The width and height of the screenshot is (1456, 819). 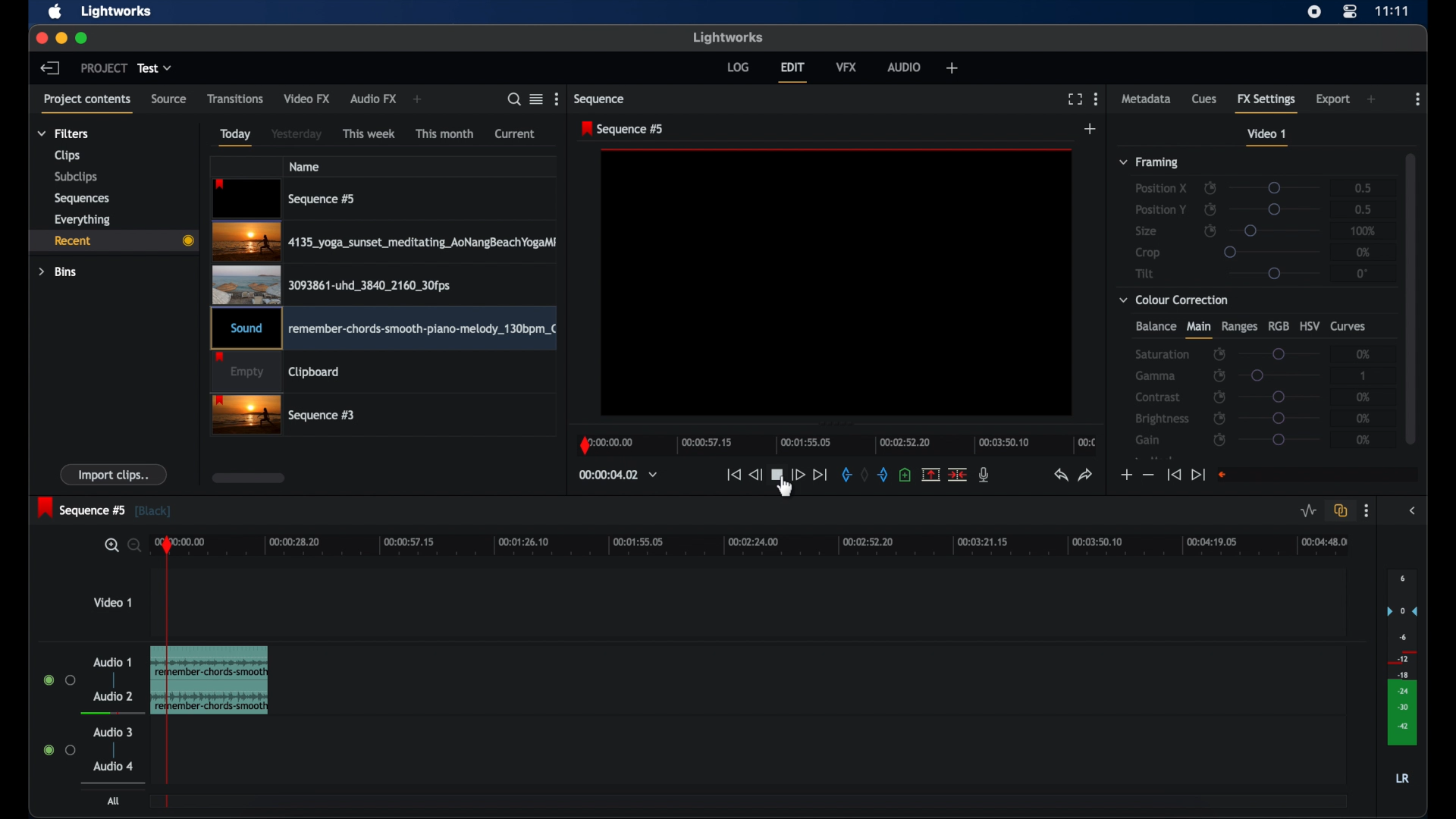 What do you see at coordinates (952, 67) in the screenshot?
I see `add` at bounding box center [952, 67].